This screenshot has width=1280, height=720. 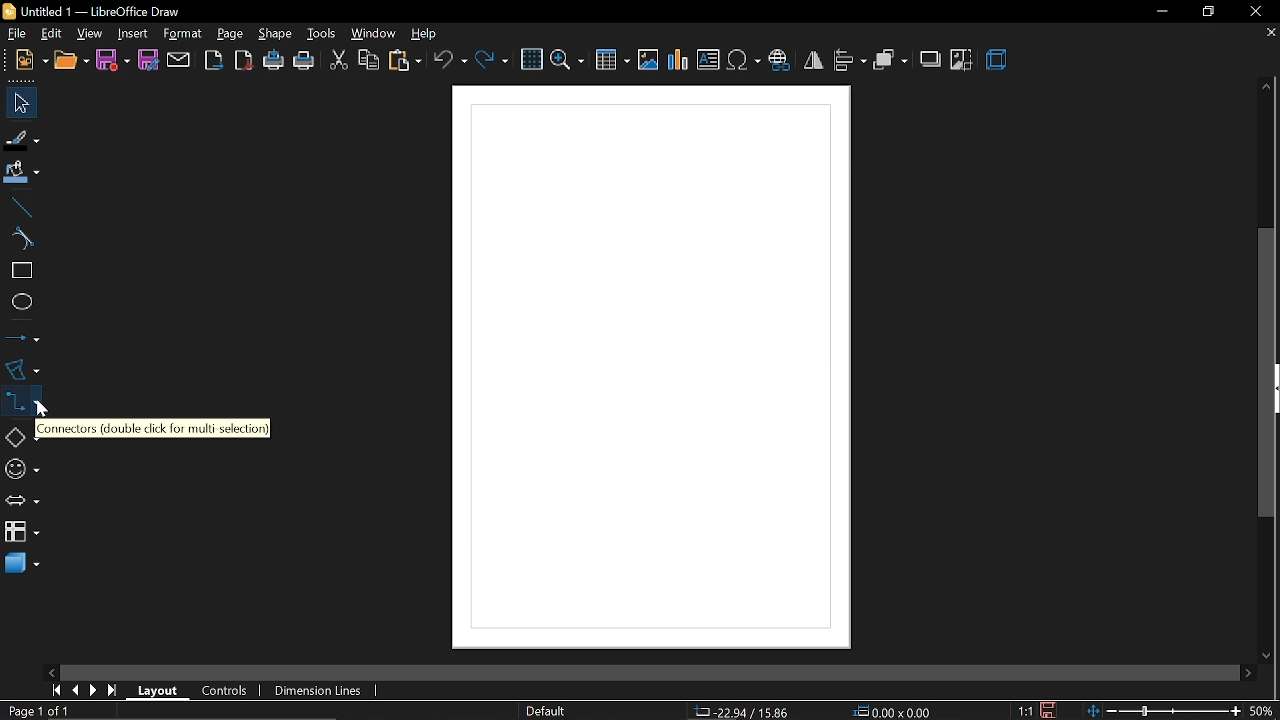 I want to click on print, so click(x=304, y=62).